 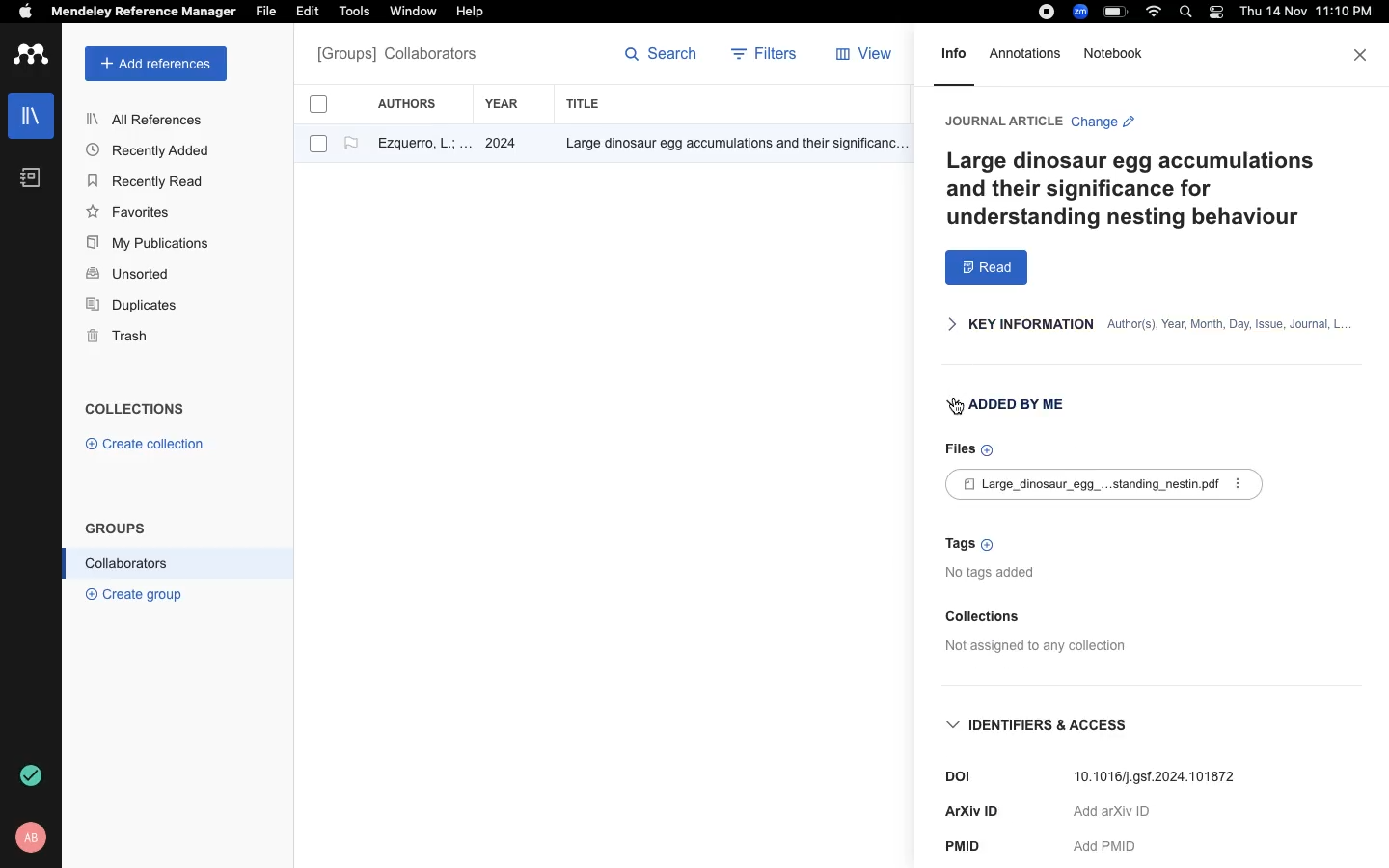 What do you see at coordinates (1001, 121) in the screenshot?
I see `JOURNAL ARTICLE` at bounding box center [1001, 121].